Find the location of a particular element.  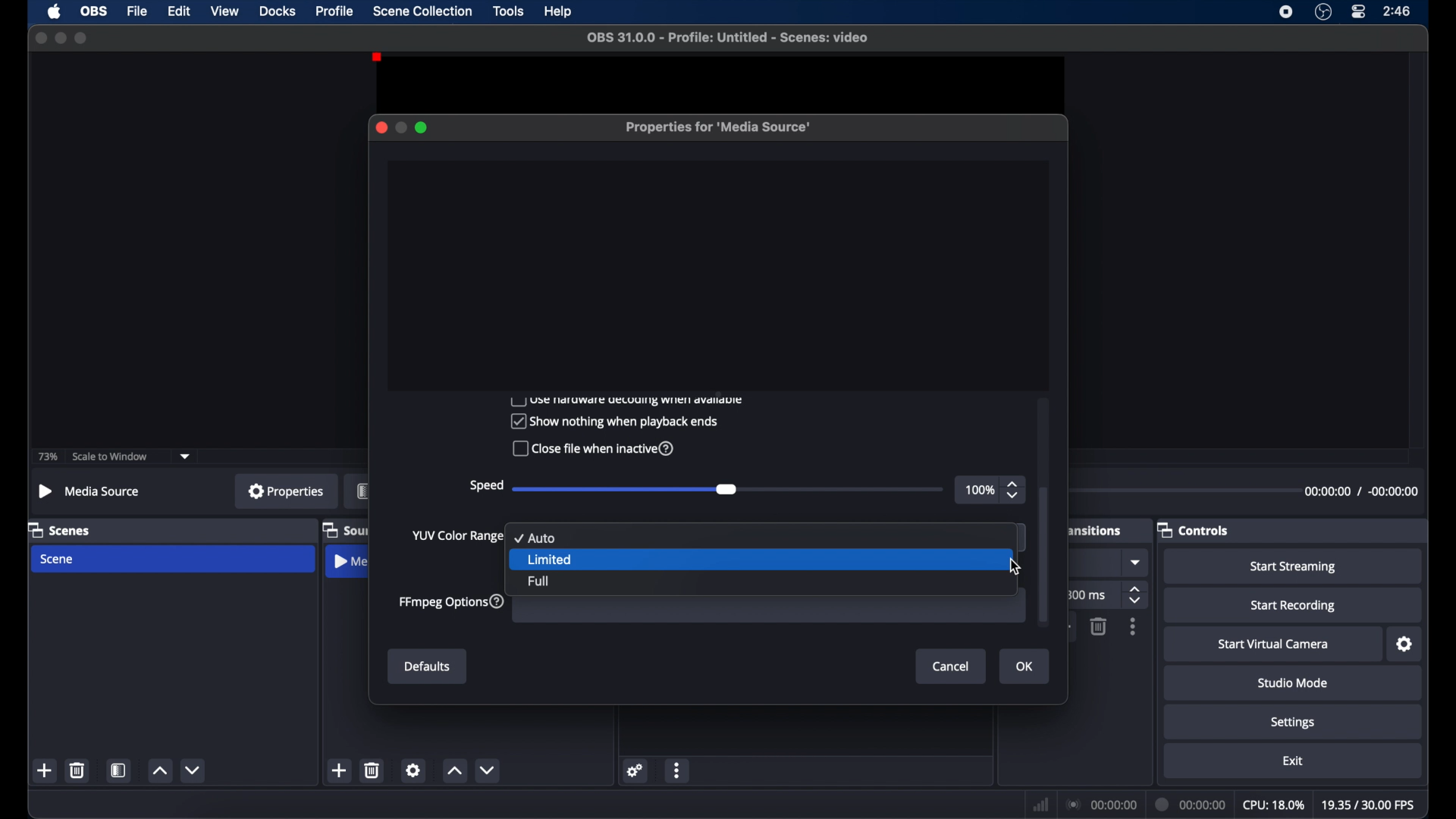

ok is located at coordinates (1027, 667).